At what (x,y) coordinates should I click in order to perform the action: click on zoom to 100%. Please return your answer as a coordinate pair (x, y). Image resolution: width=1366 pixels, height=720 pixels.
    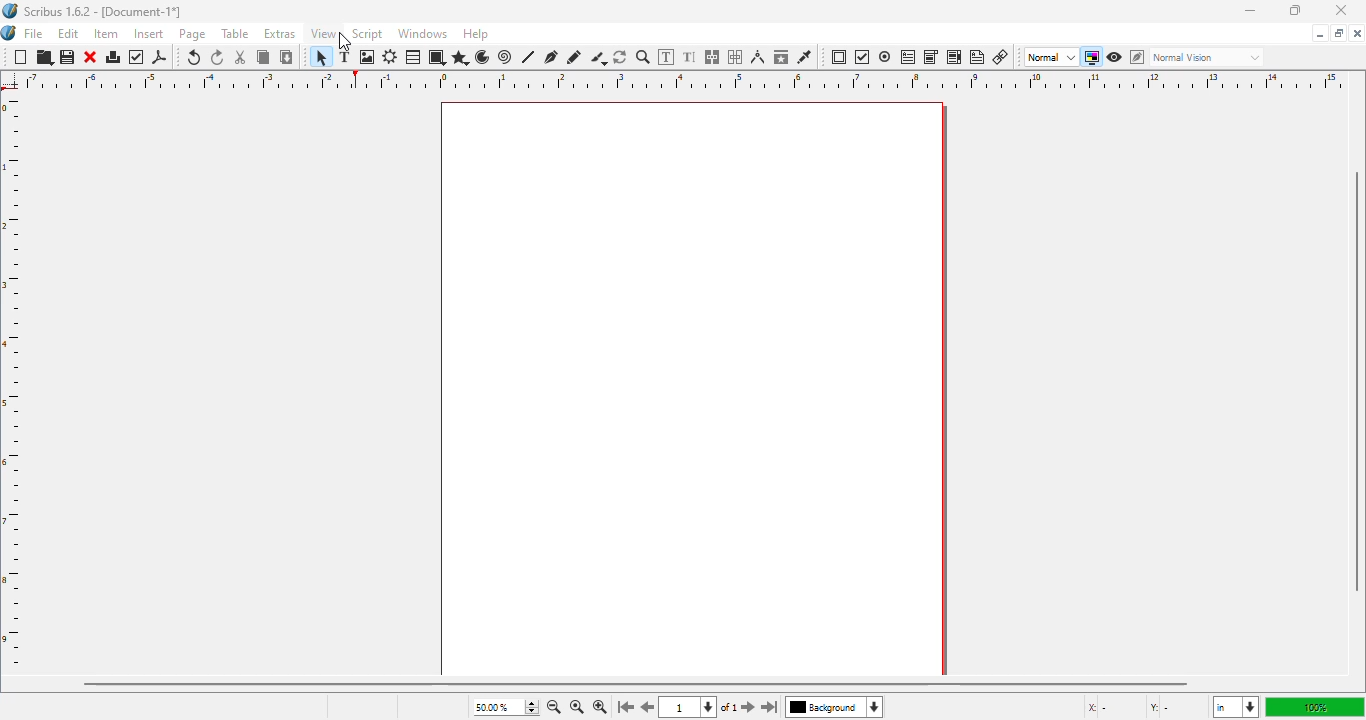
    Looking at the image, I should click on (575, 708).